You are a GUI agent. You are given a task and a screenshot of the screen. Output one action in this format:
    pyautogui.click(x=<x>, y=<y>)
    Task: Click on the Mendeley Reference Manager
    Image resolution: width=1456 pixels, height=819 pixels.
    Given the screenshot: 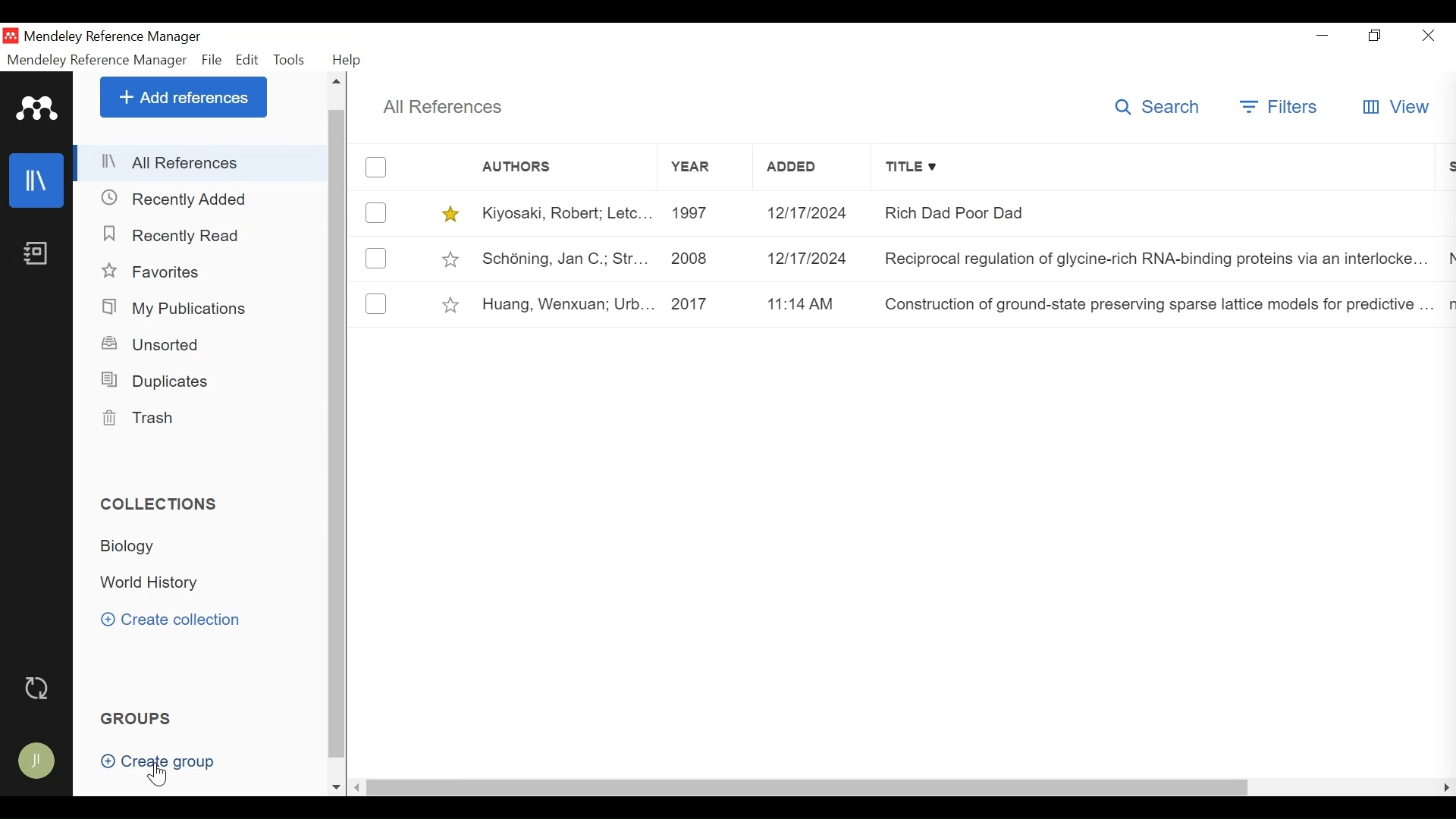 What is the action you would take?
    pyautogui.click(x=98, y=60)
    